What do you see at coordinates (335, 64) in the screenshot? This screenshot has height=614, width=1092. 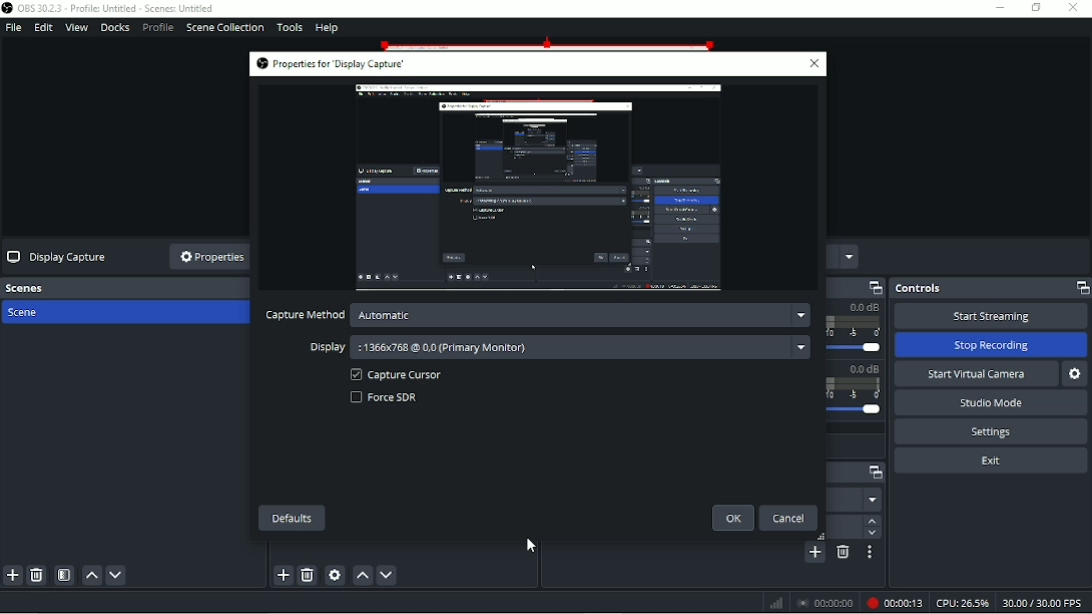 I see `Properties for 'Display Capture'` at bounding box center [335, 64].